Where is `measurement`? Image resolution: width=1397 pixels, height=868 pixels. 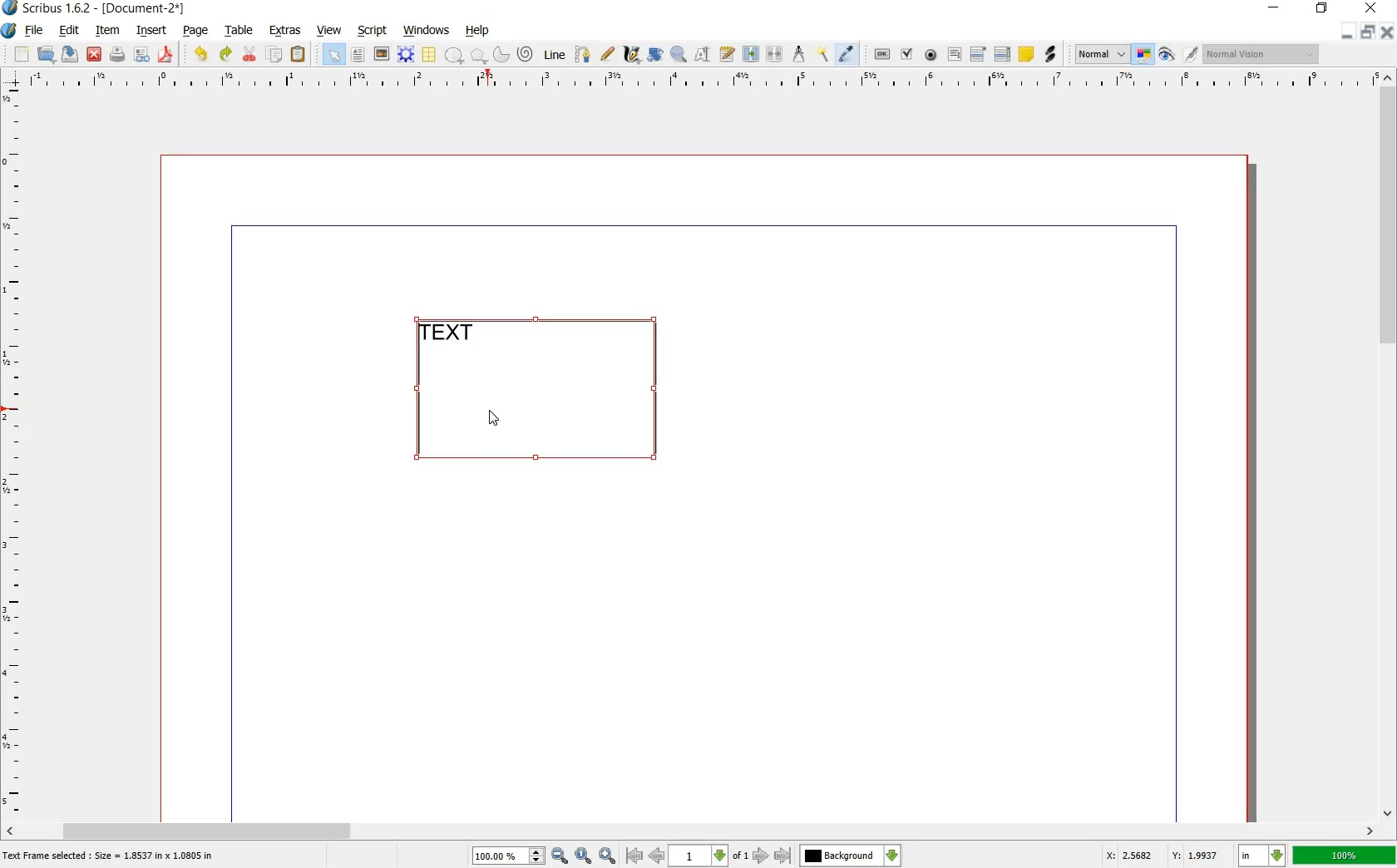
measurement is located at coordinates (800, 53).